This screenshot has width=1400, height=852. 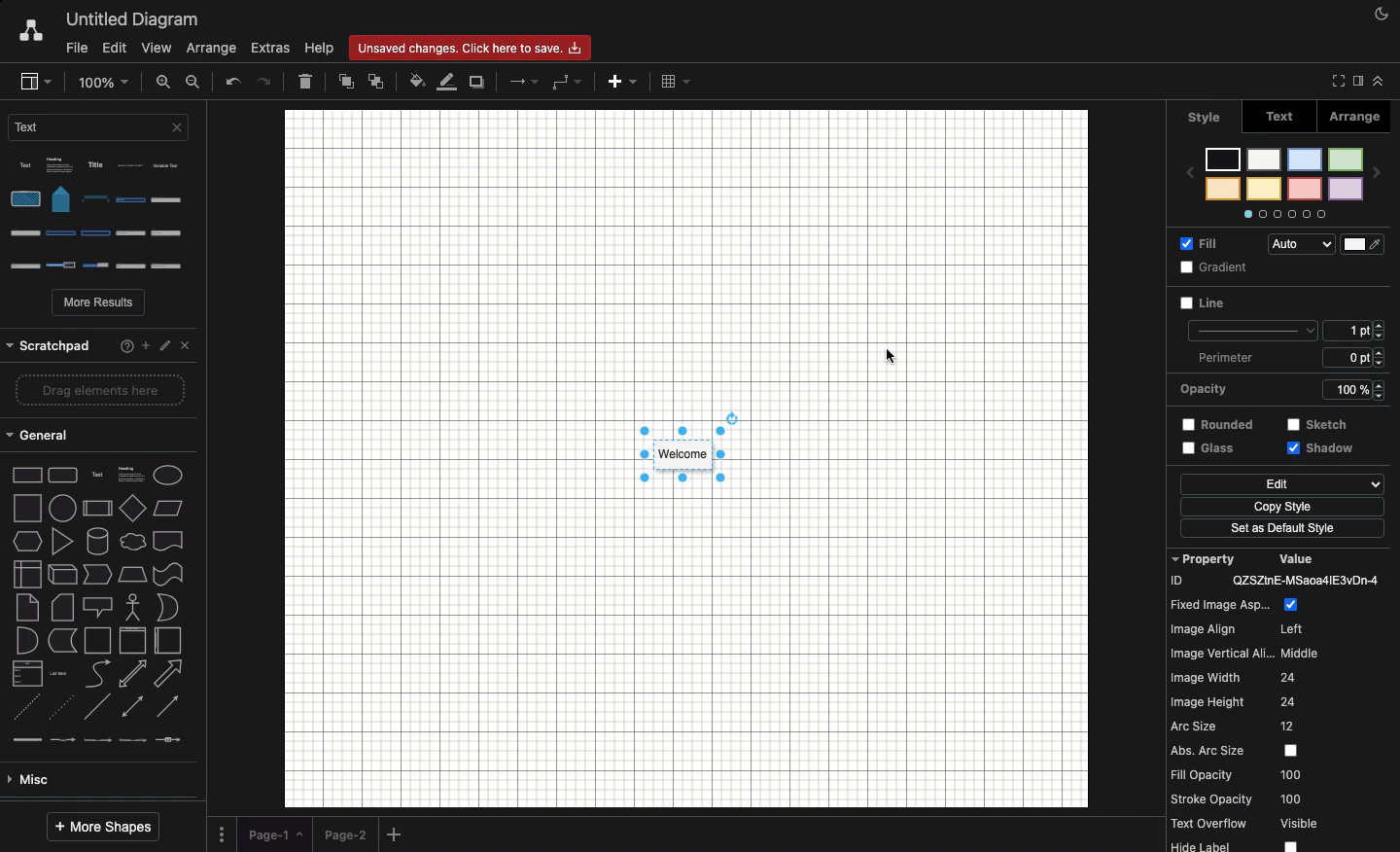 I want to click on Add, so click(x=397, y=835).